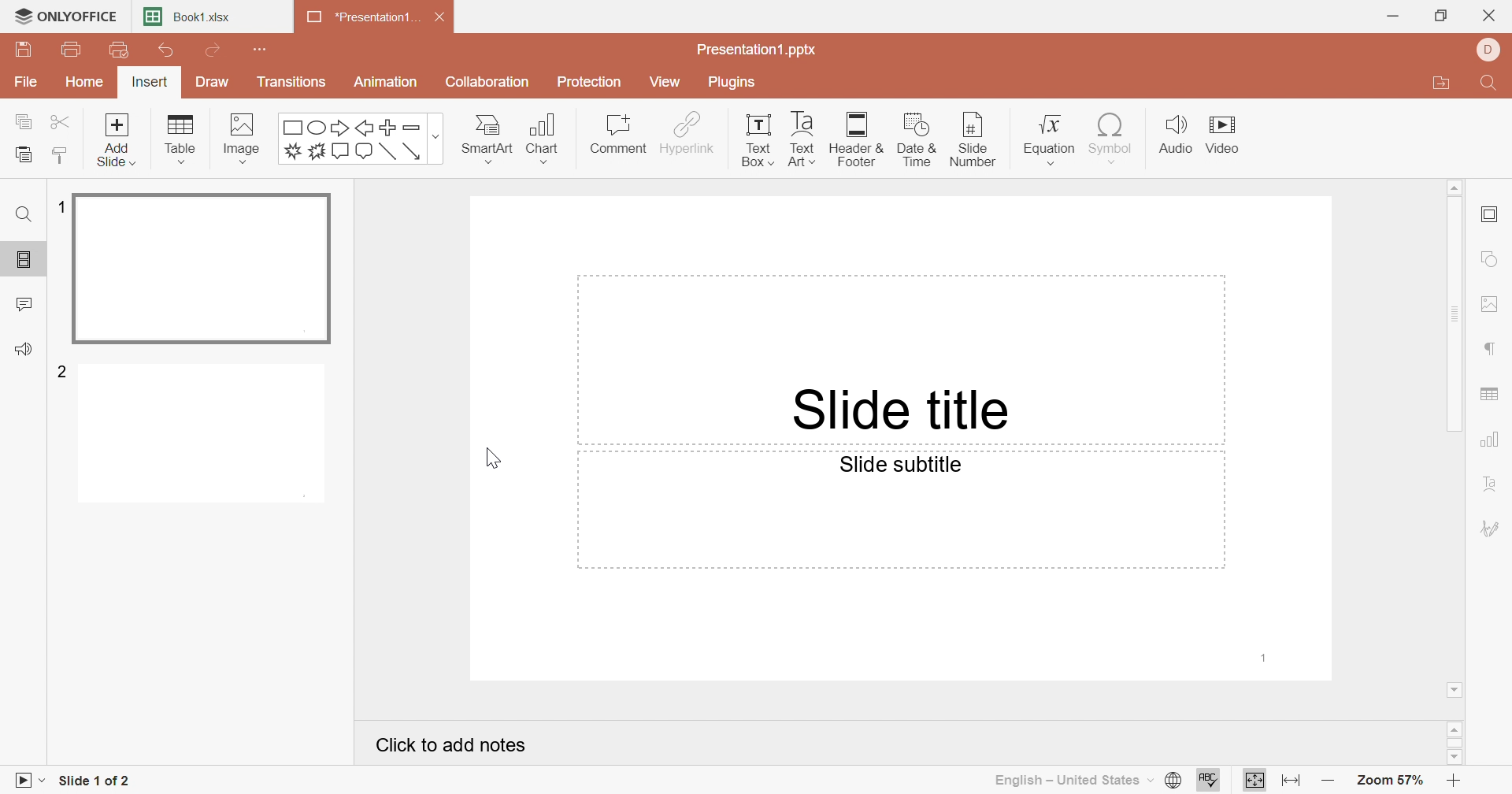  What do you see at coordinates (967, 139) in the screenshot?
I see `Slide number` at bounding box center [967, 139].